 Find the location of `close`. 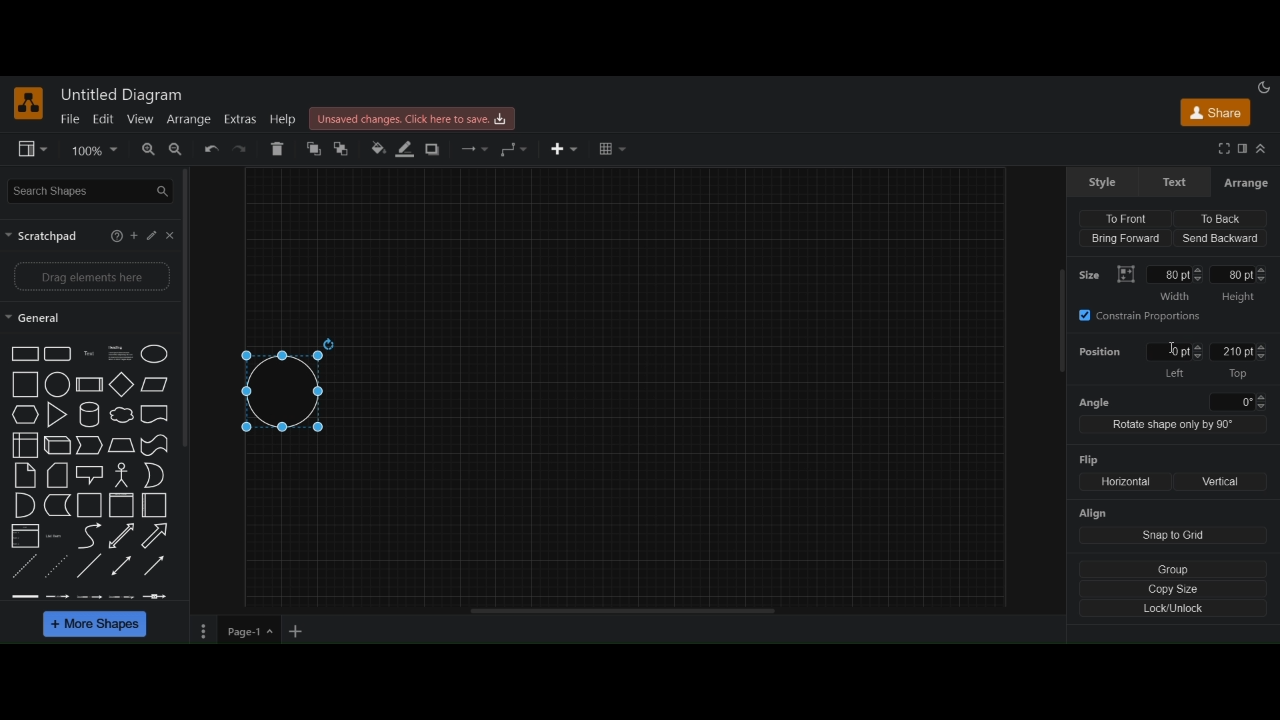

close is located at coordinates (173, 235).